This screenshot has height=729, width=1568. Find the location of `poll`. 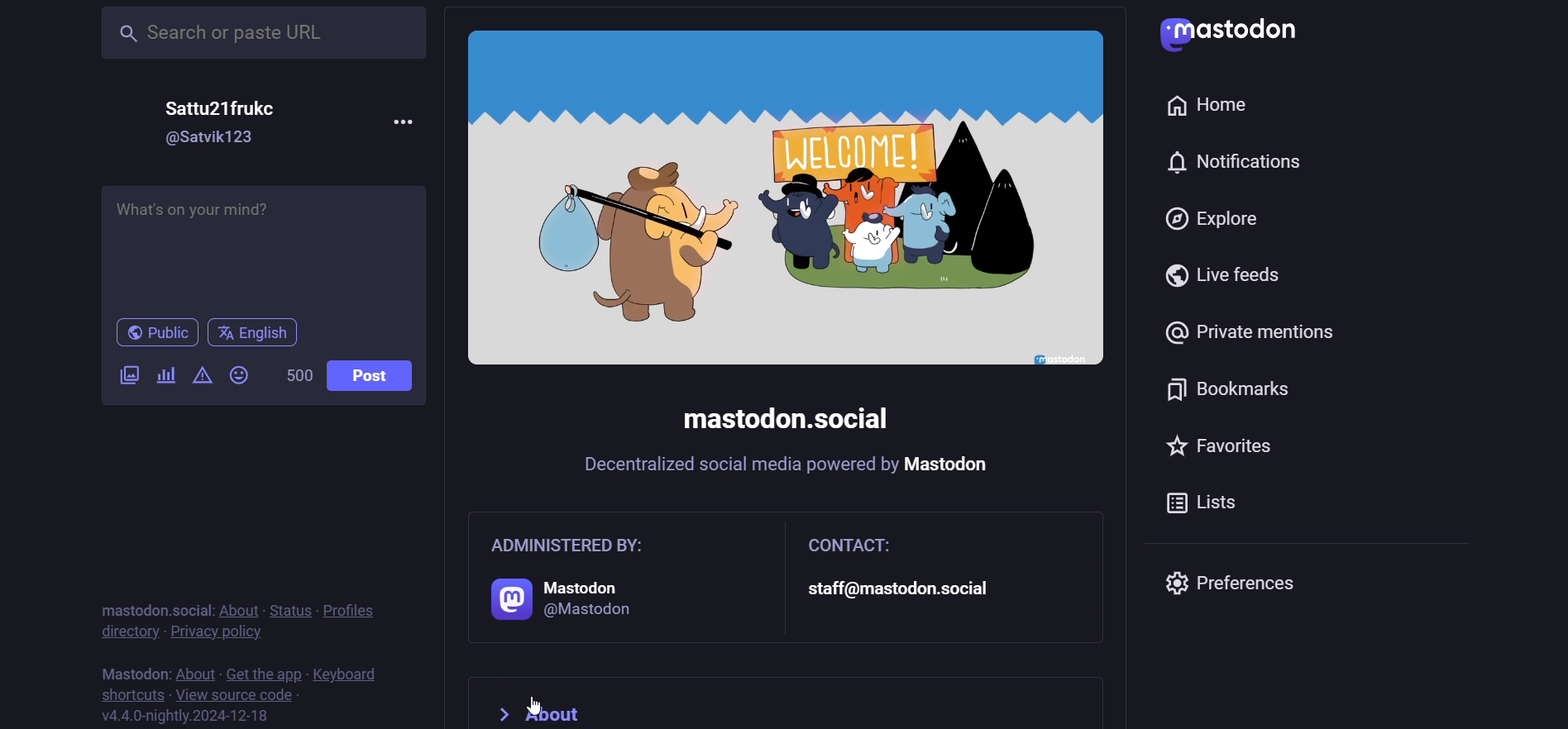

poll is located at coordinates (165, 378).